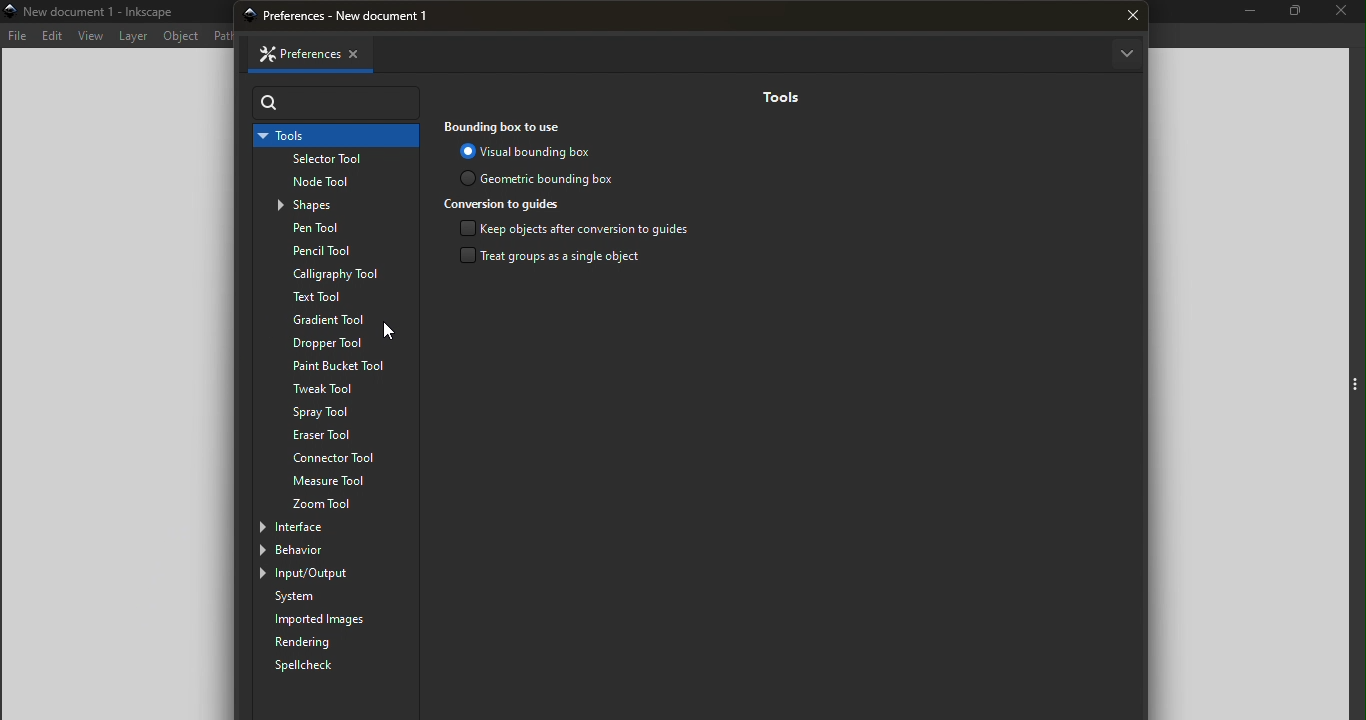  I want to click on Spellcheck, so click(316, 666).